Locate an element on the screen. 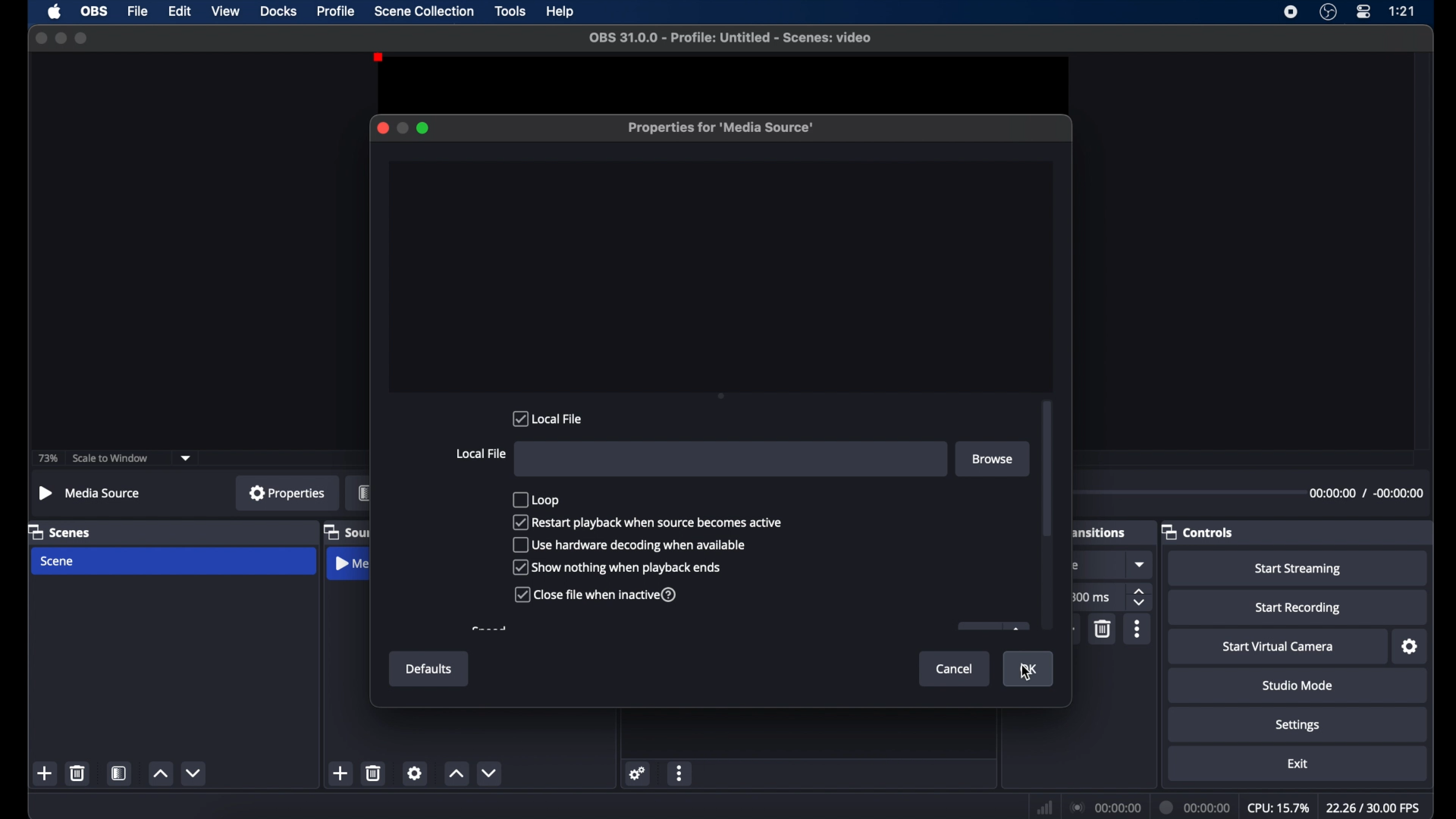 This screenshot has width=1456, height=819. network is located at coordinates (1043, 808).